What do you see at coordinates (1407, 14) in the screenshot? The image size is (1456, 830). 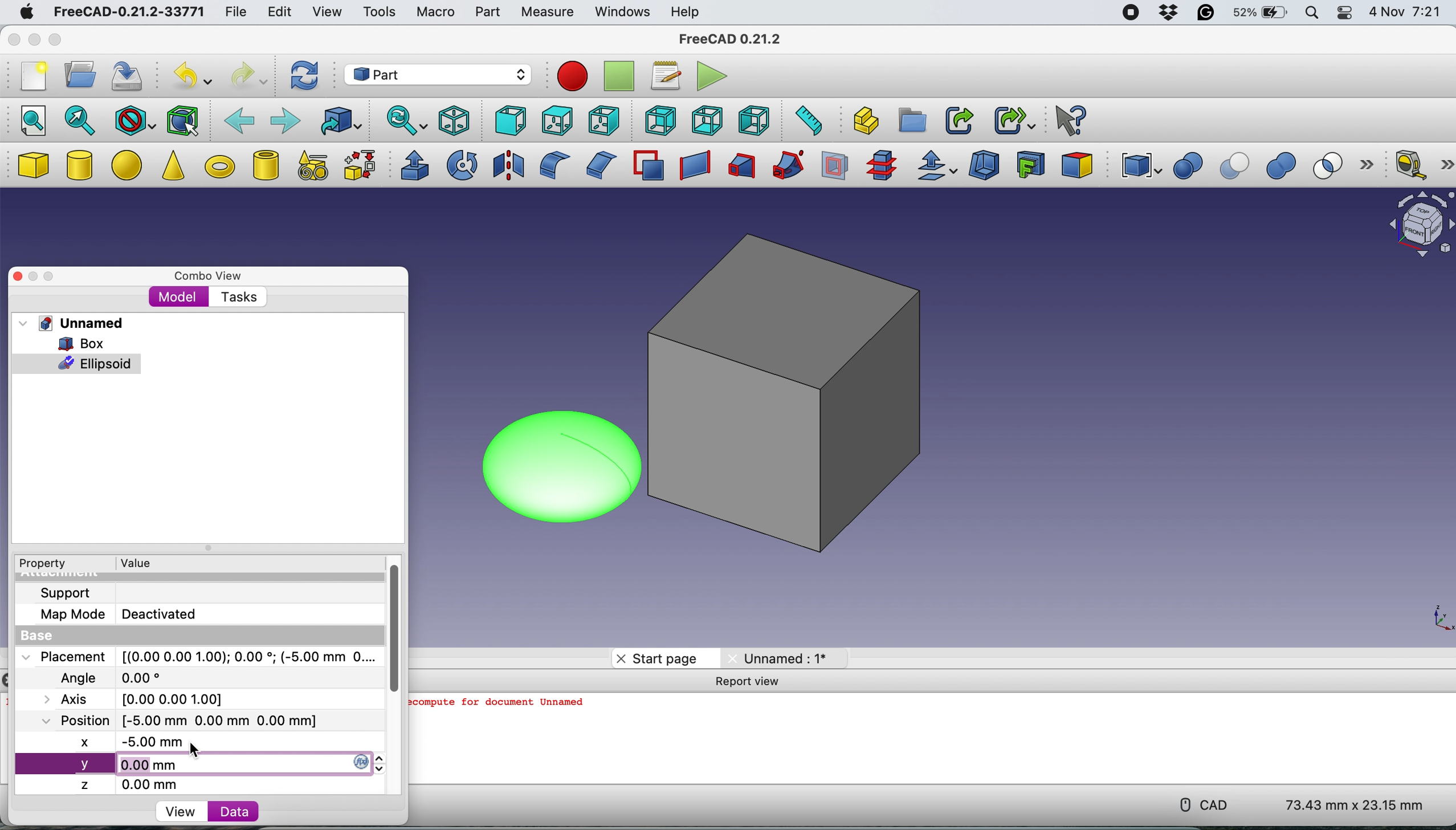 I see `4 Nov 7:21` at bounding box center [1407, 14].